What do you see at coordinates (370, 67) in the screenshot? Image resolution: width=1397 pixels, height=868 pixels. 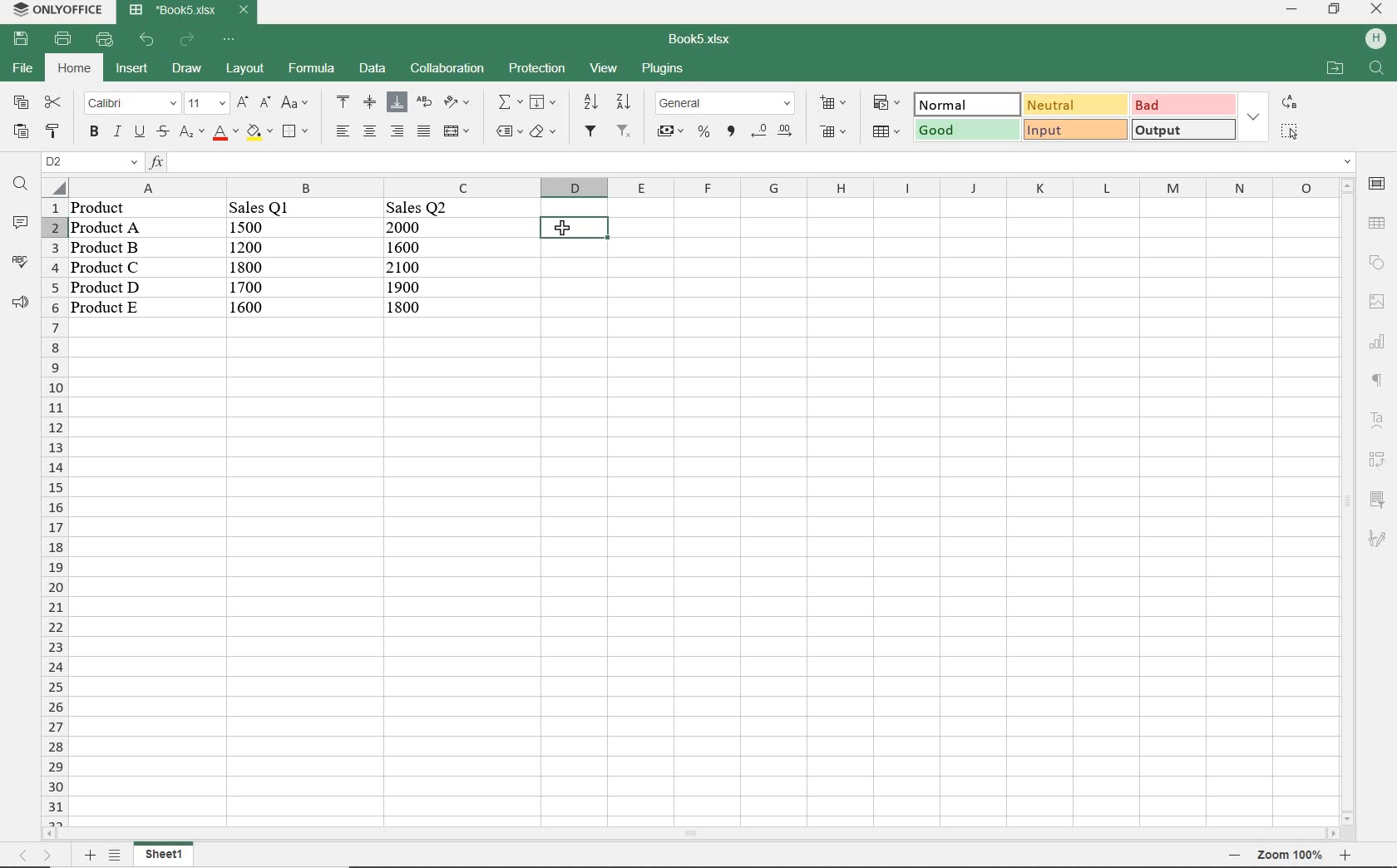 I see `data` at bounding box center [370, 67].